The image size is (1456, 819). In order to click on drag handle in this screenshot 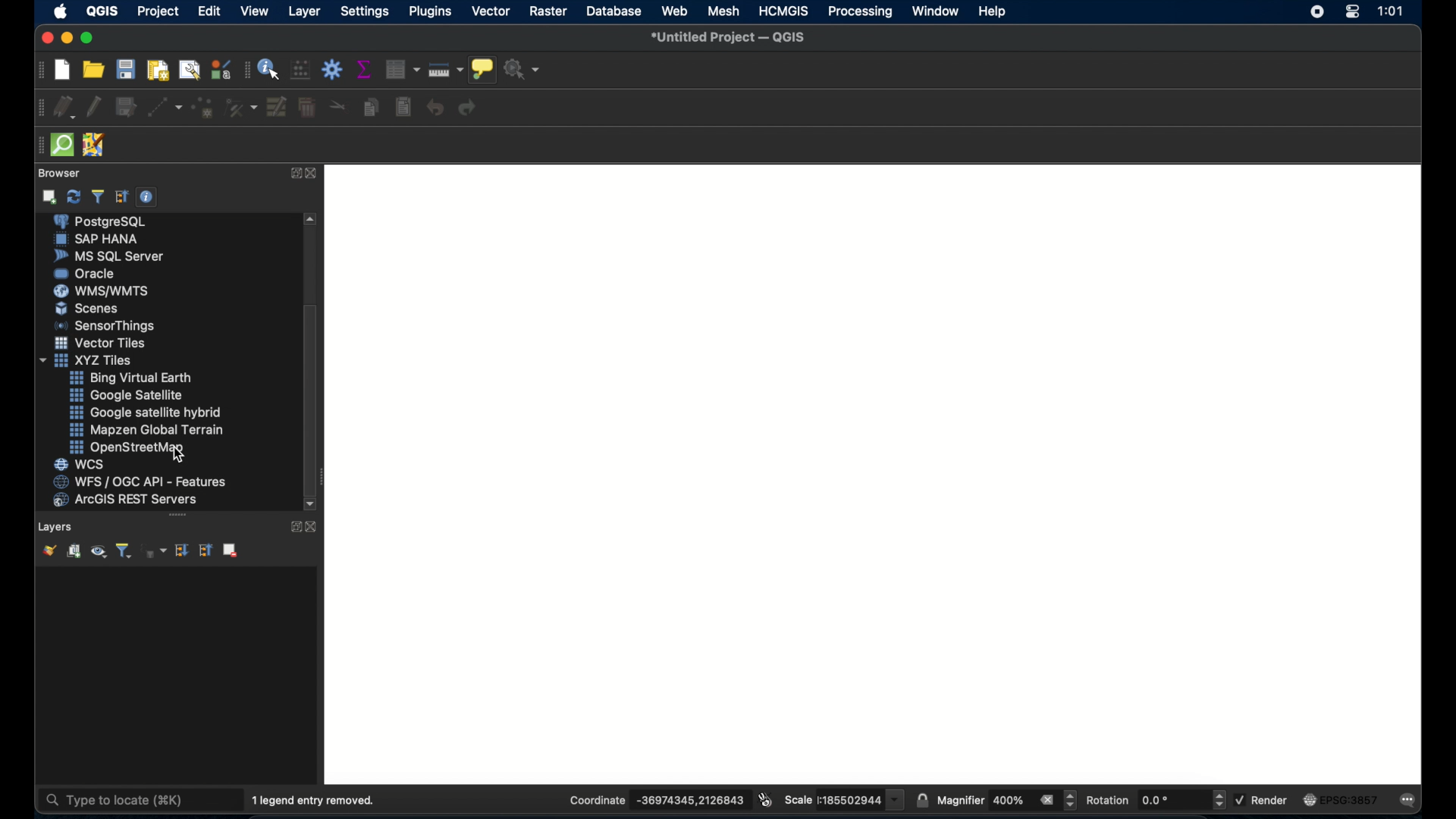, I will do `click(34, 143)`.